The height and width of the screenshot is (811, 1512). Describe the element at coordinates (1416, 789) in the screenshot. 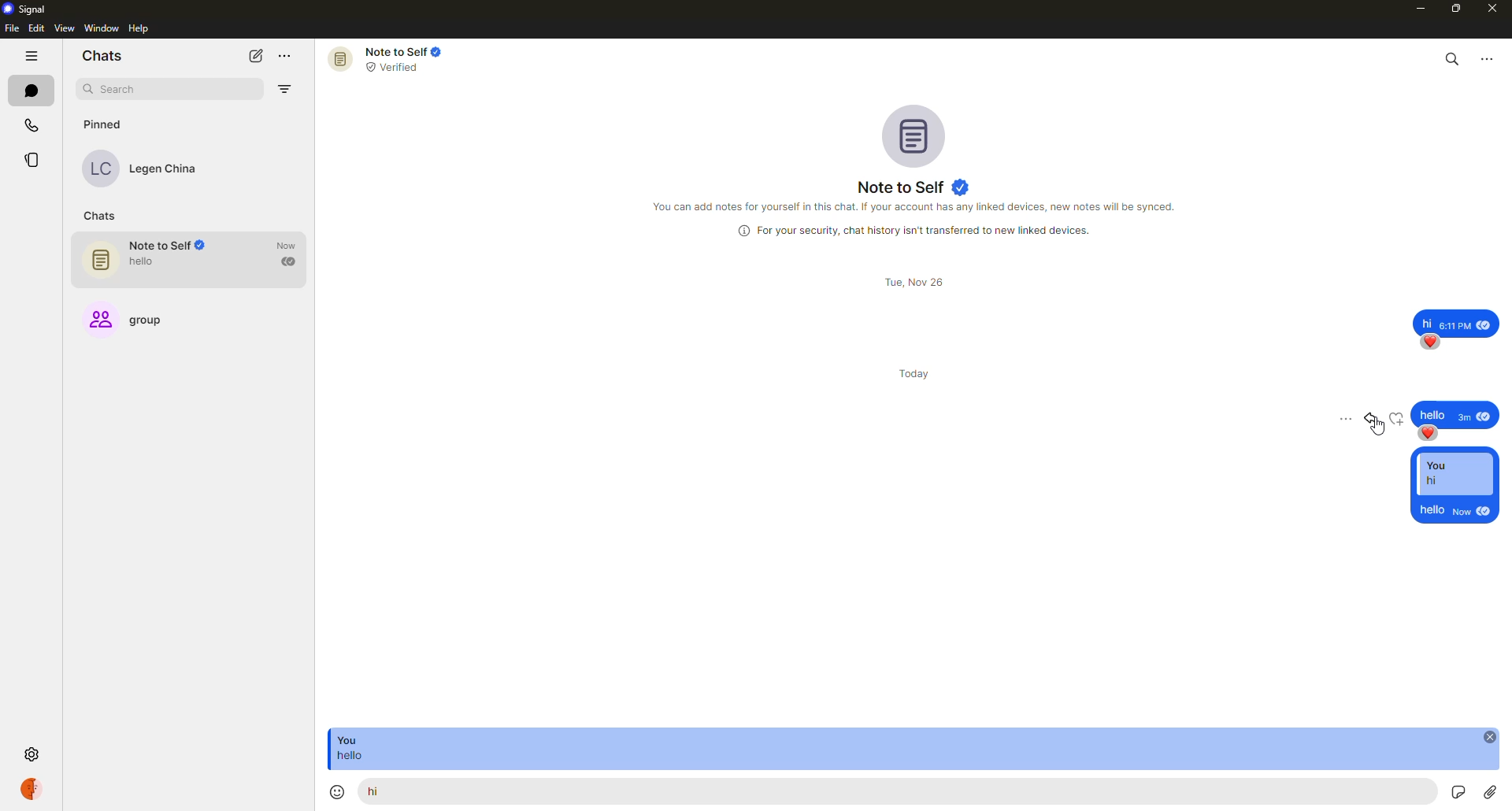

I see `stickers` at that location.